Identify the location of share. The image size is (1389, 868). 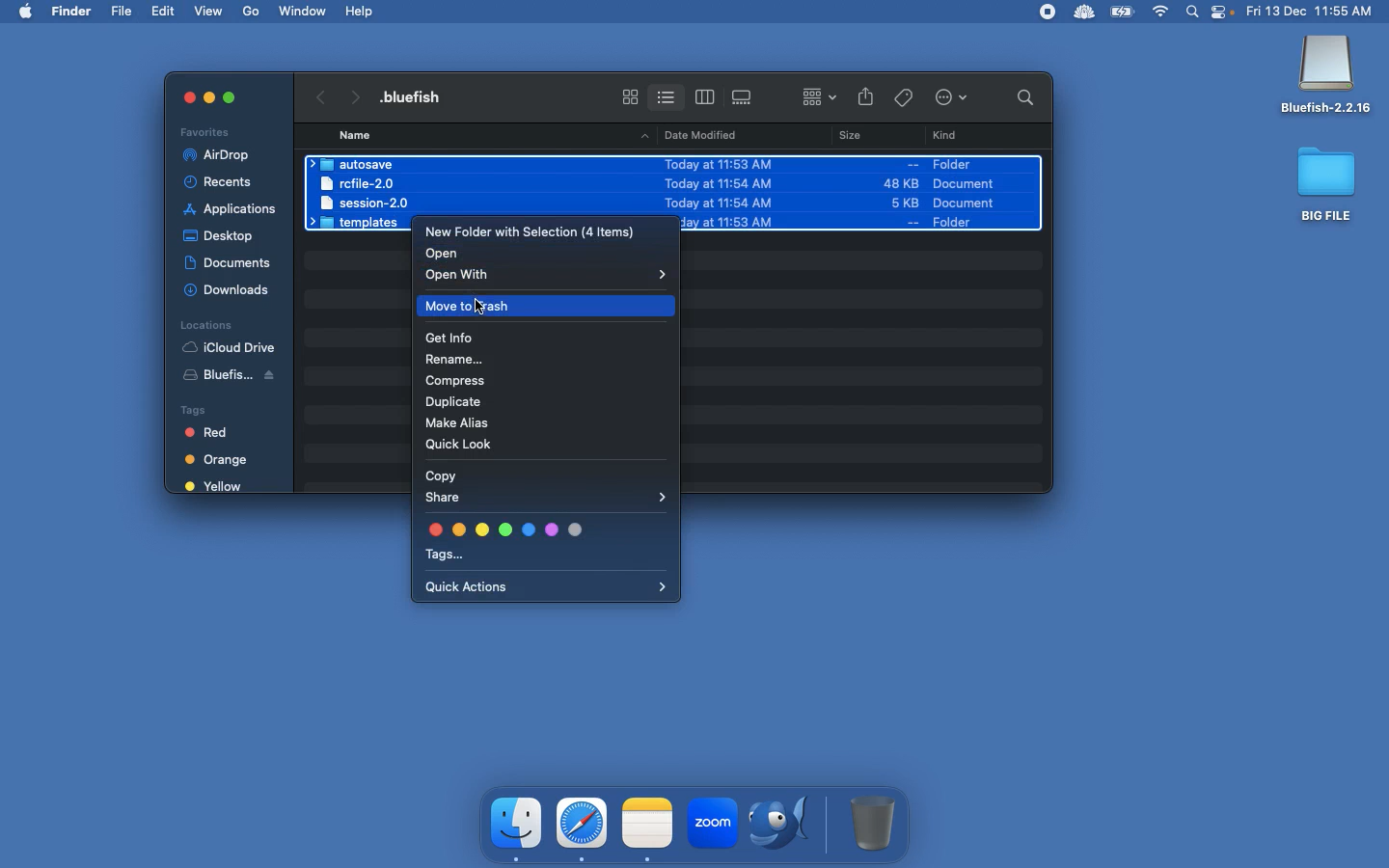
(866, 98).